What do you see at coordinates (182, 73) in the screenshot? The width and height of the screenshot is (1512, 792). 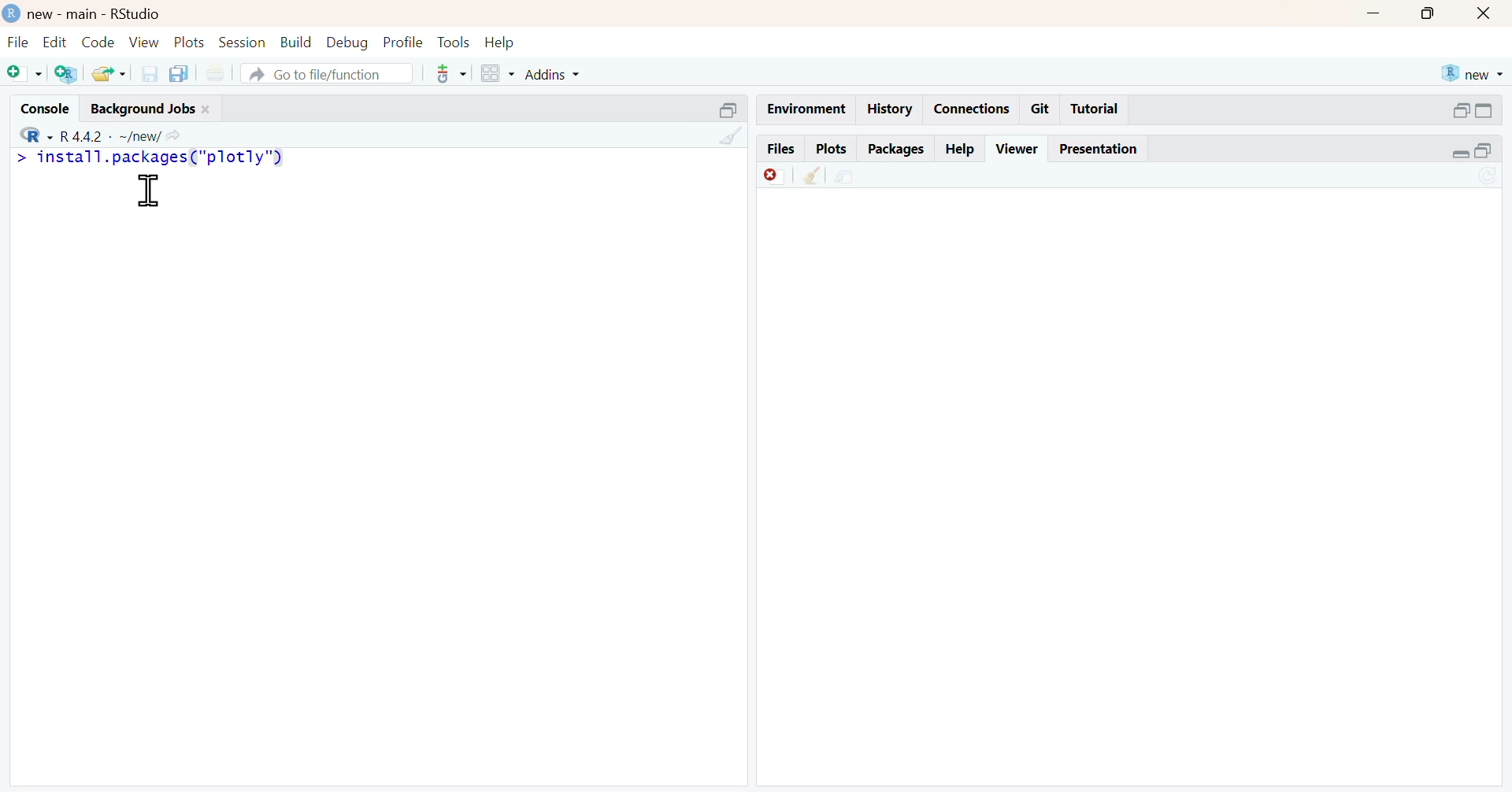 I see `save all open documents` at bounding box center [182, 73].